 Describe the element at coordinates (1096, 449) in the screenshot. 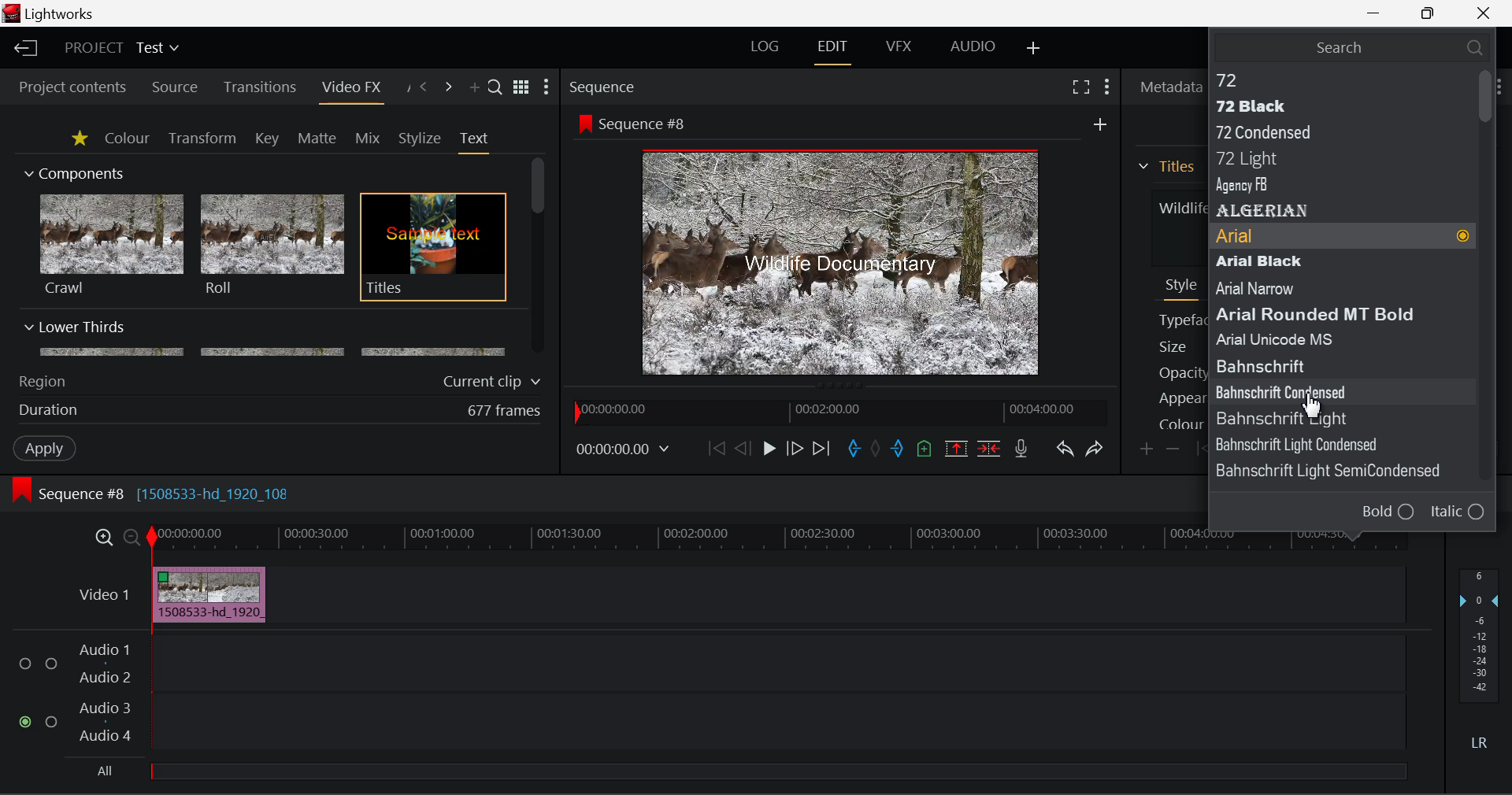

I see `Redo` at that location.